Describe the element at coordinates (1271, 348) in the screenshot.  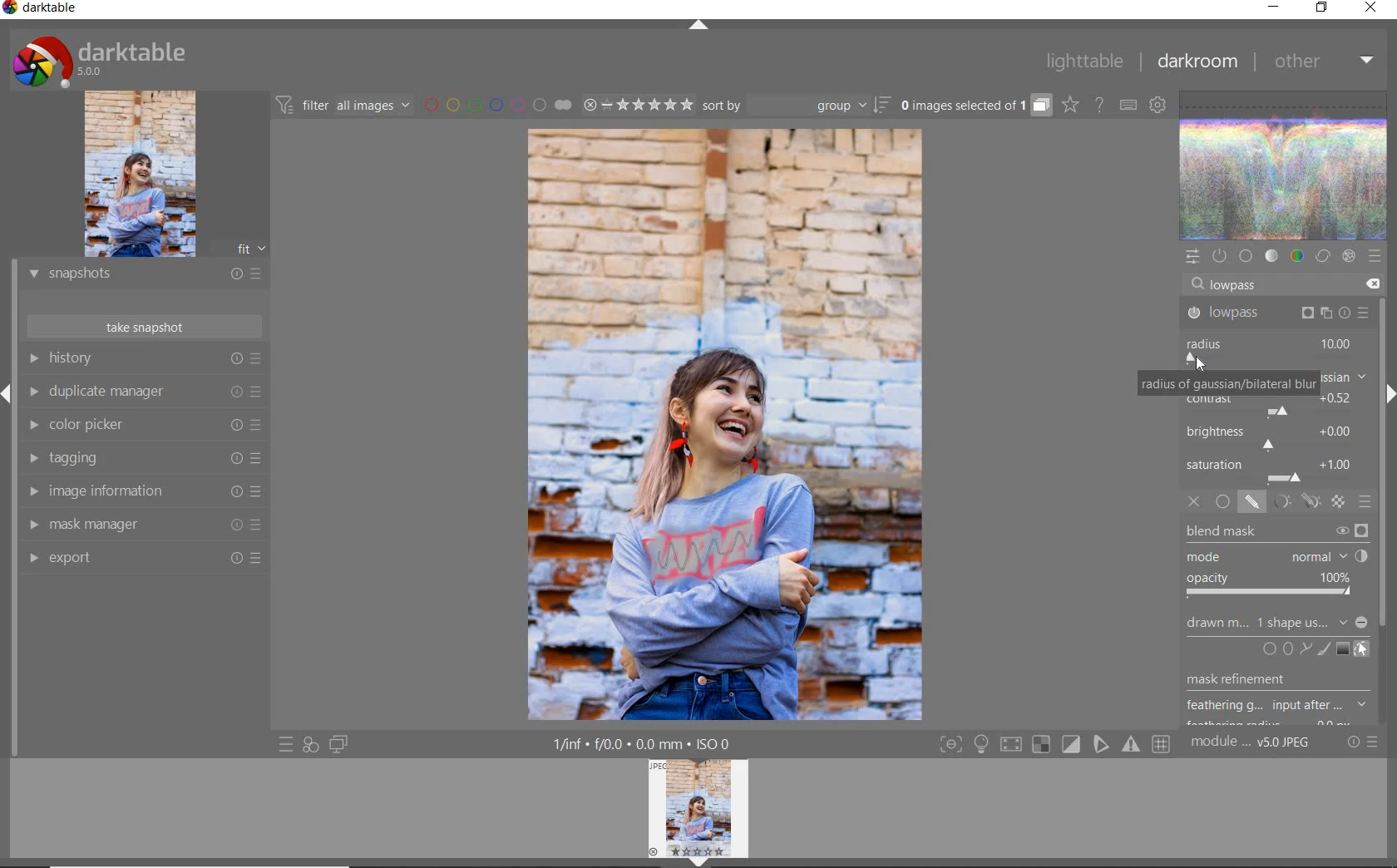
I see `radius` at that location.